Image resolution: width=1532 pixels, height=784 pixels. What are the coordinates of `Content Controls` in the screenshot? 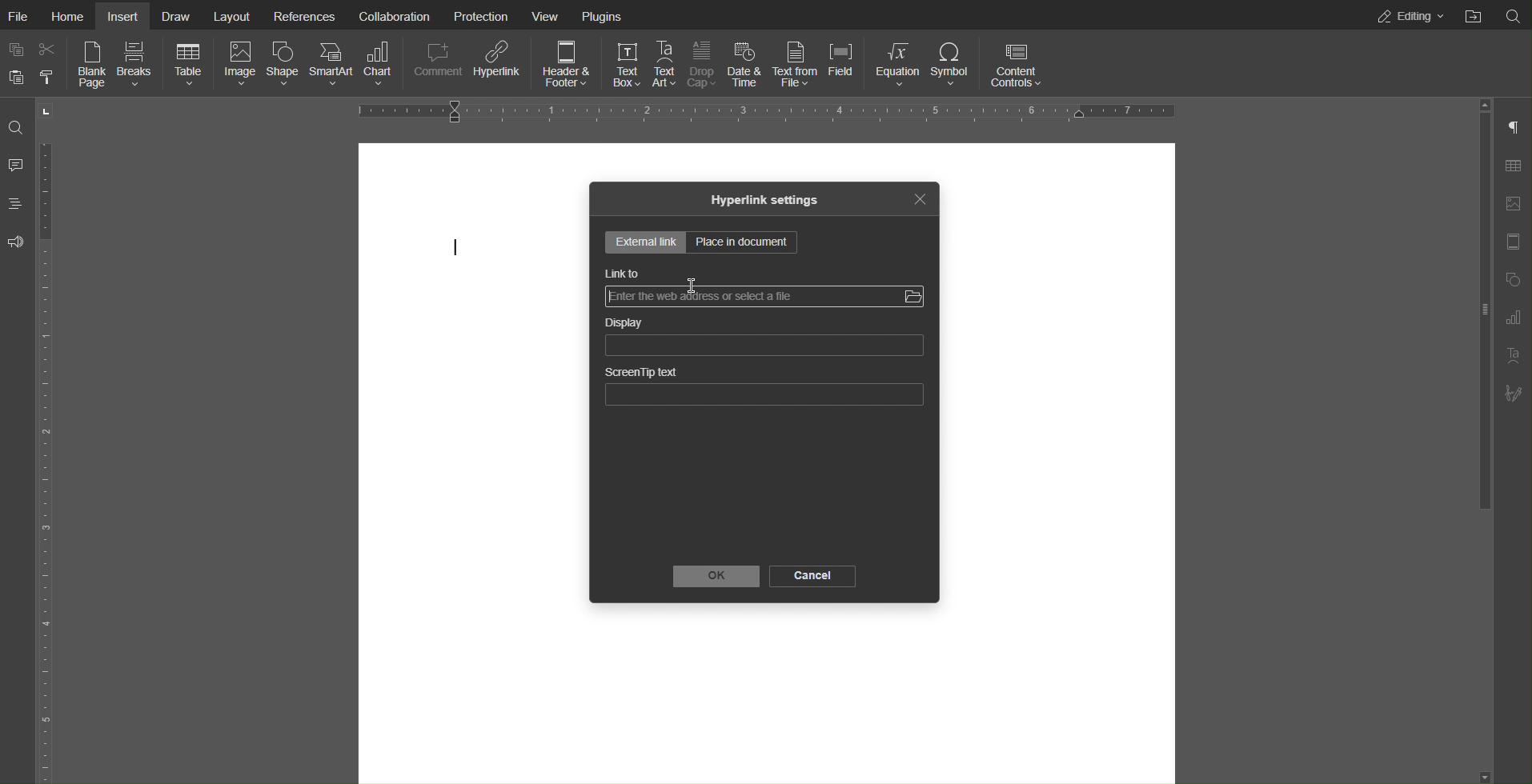 It's located at (1017, 62).